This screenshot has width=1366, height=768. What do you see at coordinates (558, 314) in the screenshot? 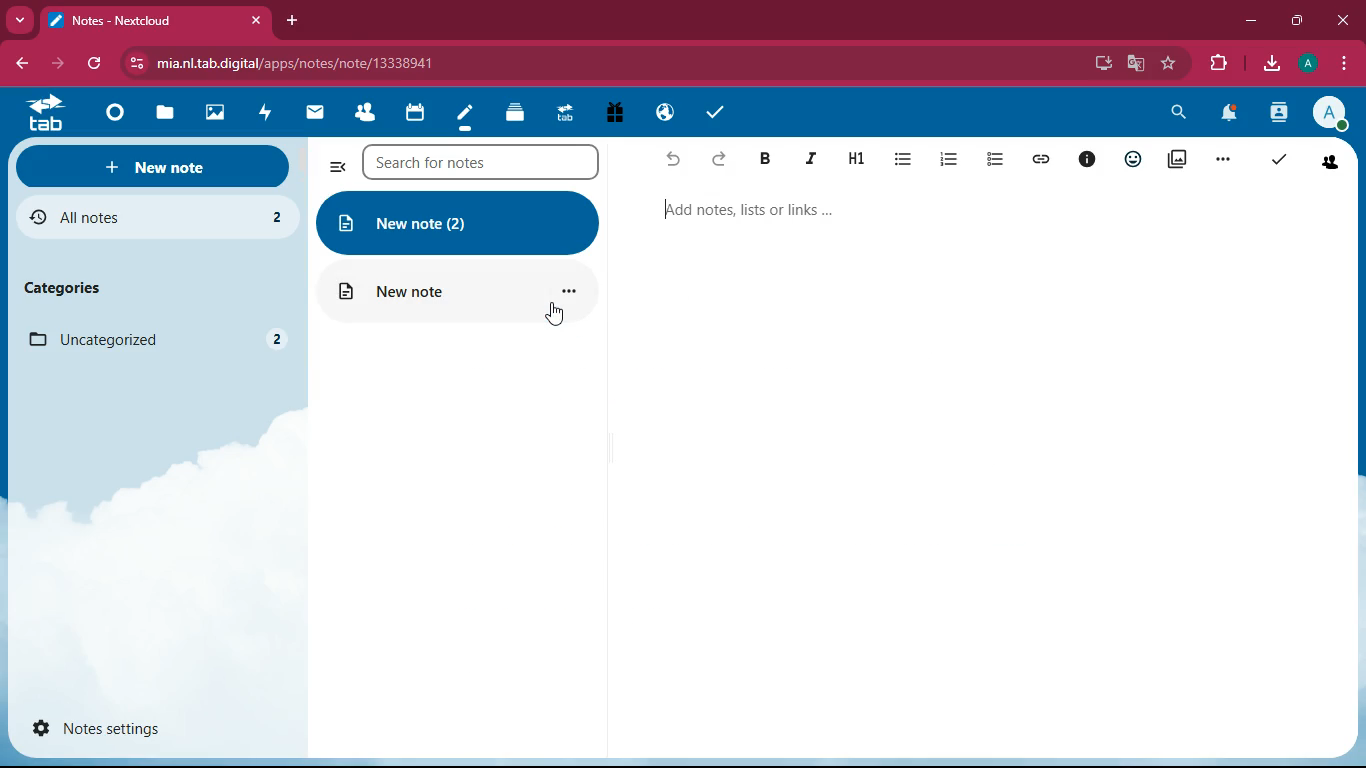
I see `cursor` at bounding box center [558, 314].